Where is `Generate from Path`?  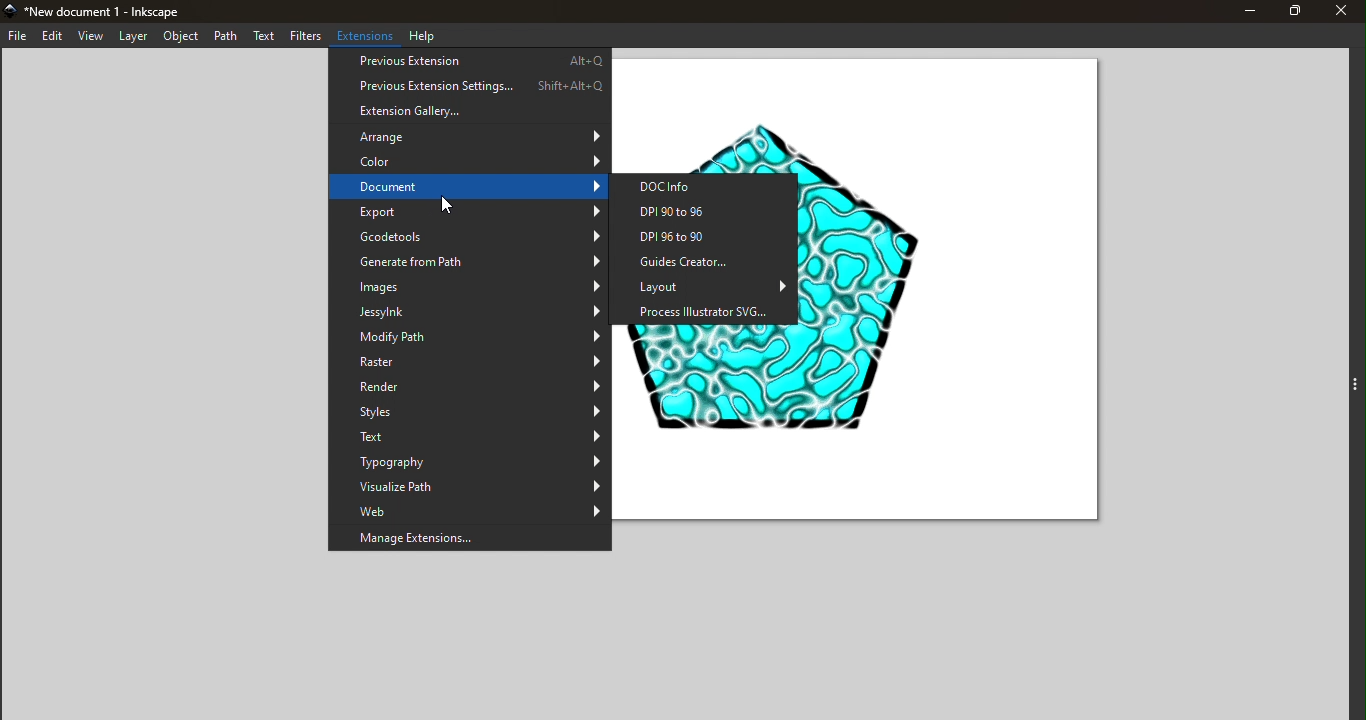
Generate from Path is located at coordinates (467, 262).